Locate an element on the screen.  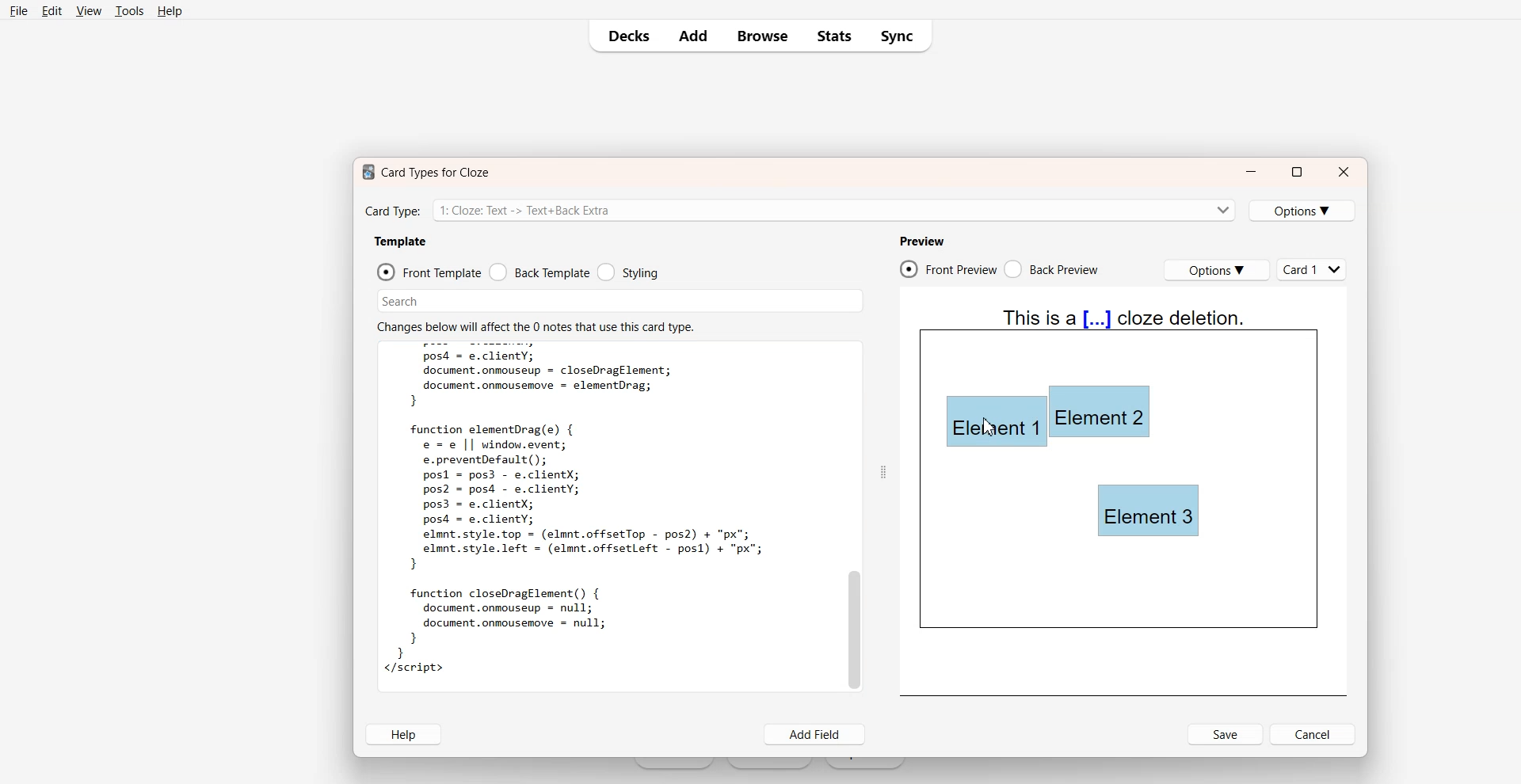
Close is located at coordinates (1344, 172).